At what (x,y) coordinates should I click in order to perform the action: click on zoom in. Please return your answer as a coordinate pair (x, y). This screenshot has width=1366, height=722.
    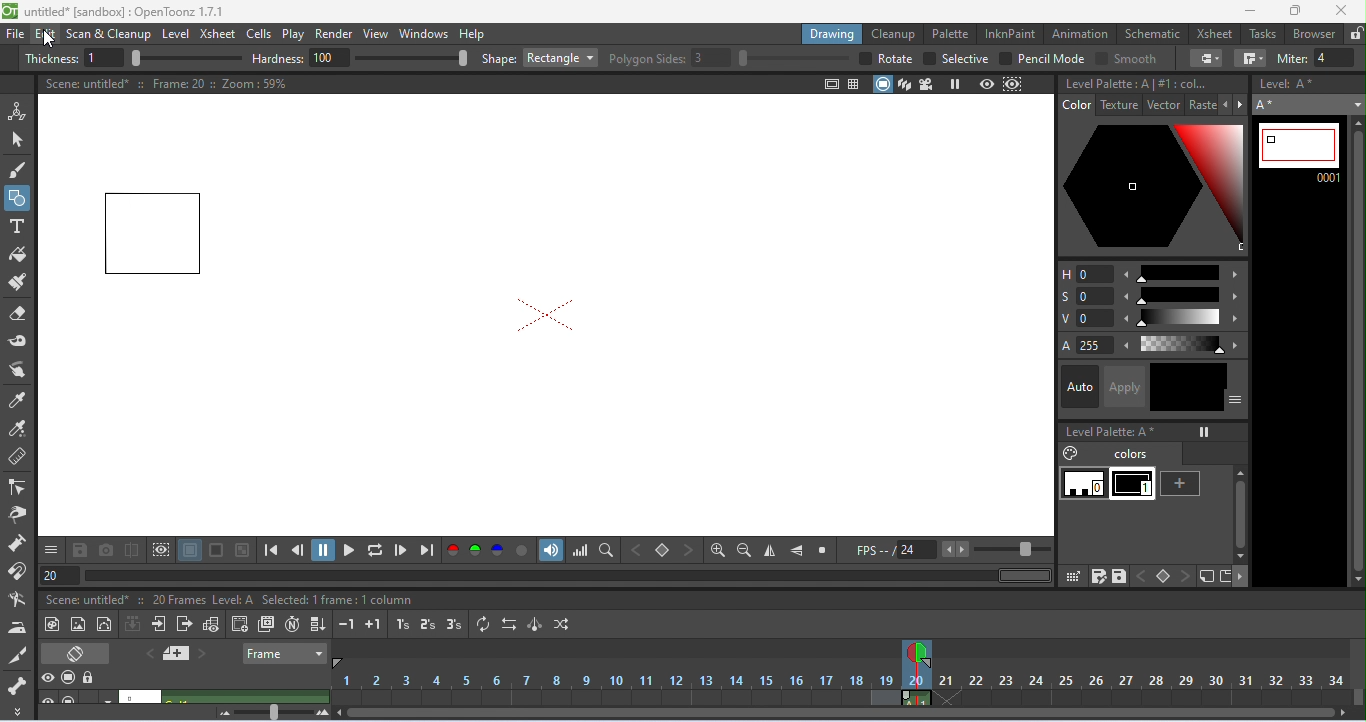
    Looking at the image, I should click on (718, 551).